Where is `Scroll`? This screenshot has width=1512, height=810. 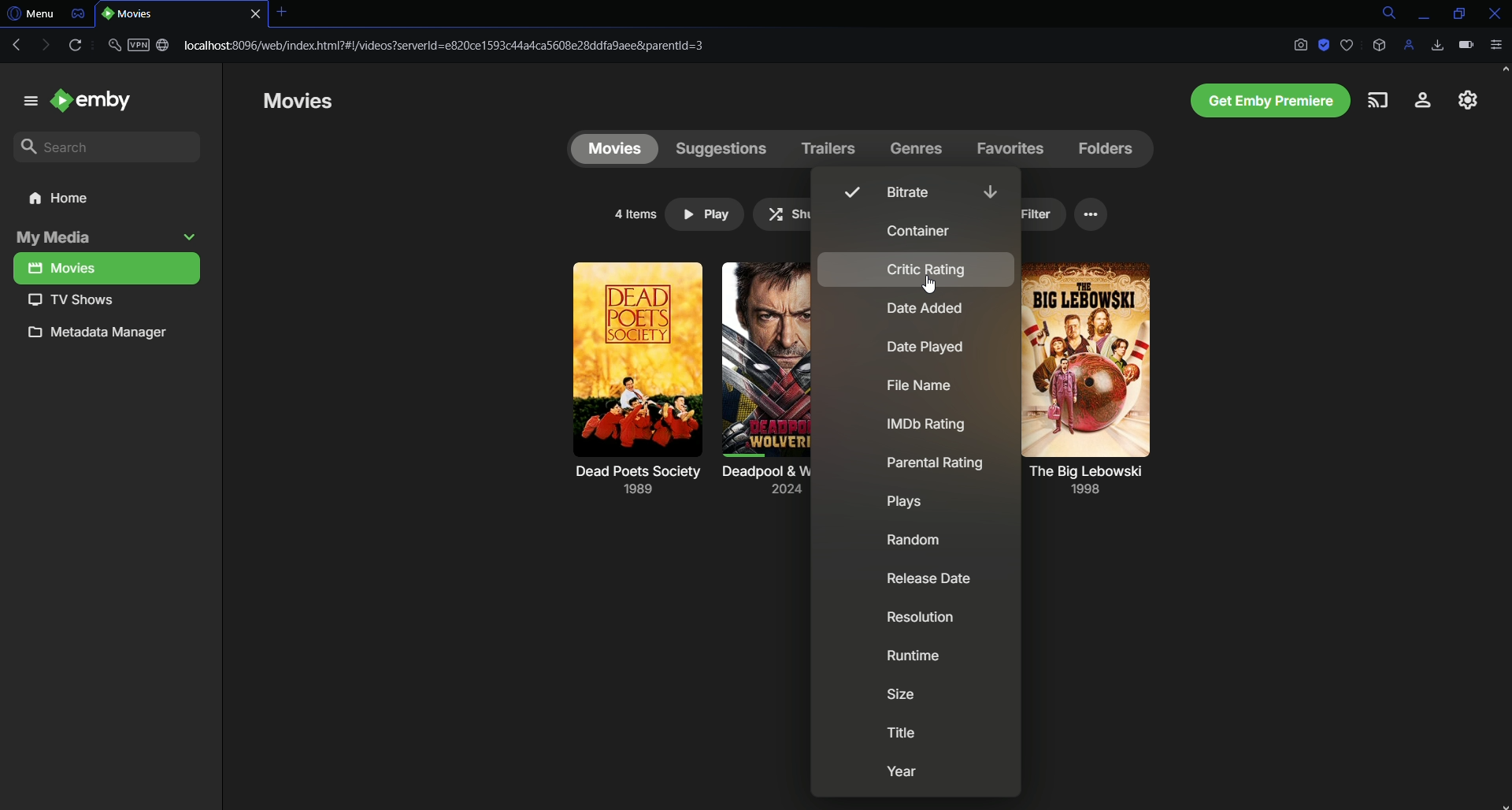
Scroll is located at coordinates (1503, 269).